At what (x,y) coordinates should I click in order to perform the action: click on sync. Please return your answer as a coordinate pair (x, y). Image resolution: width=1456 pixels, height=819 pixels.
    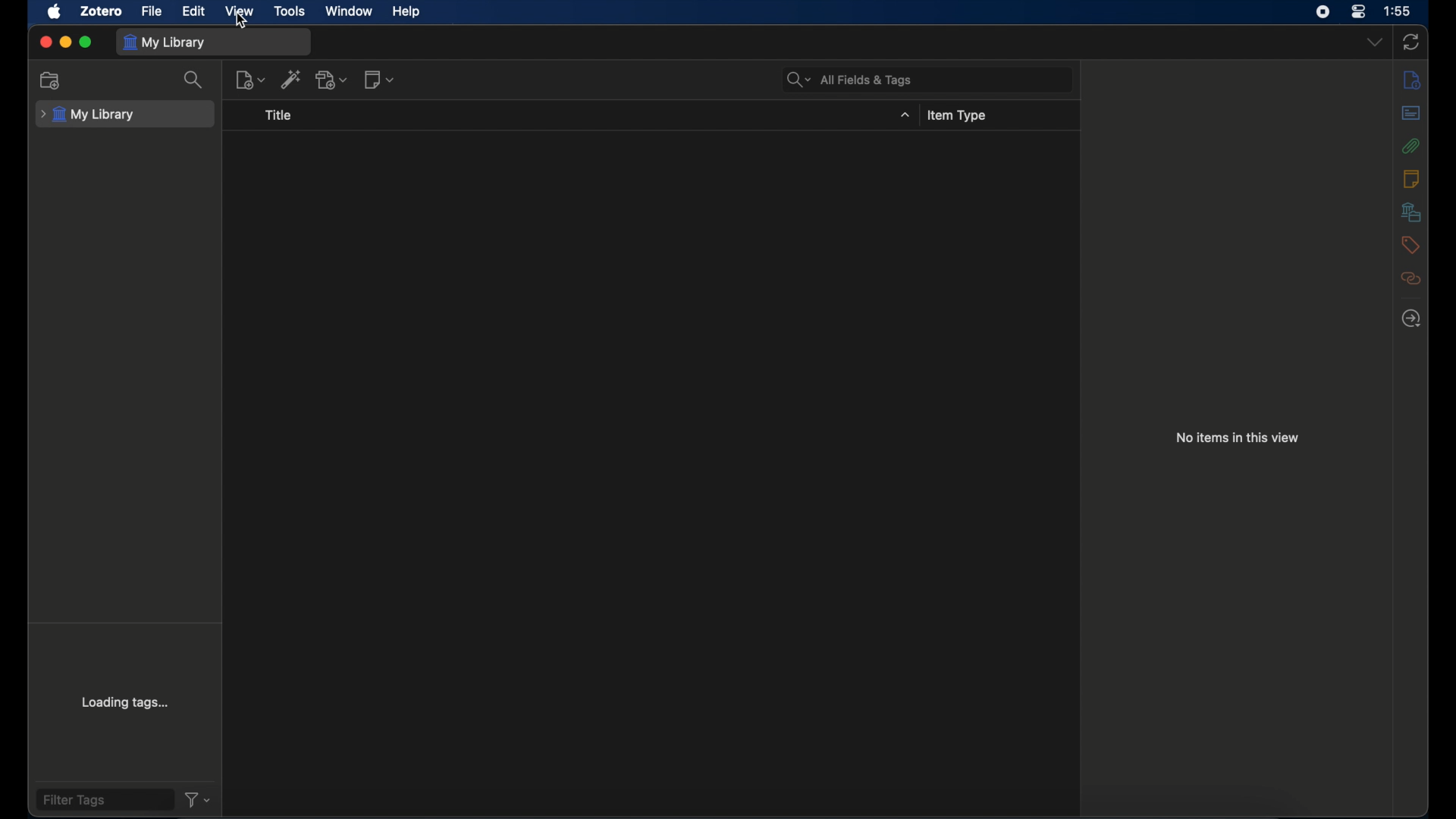
    Looking at the image, I should click on (1411, 41).